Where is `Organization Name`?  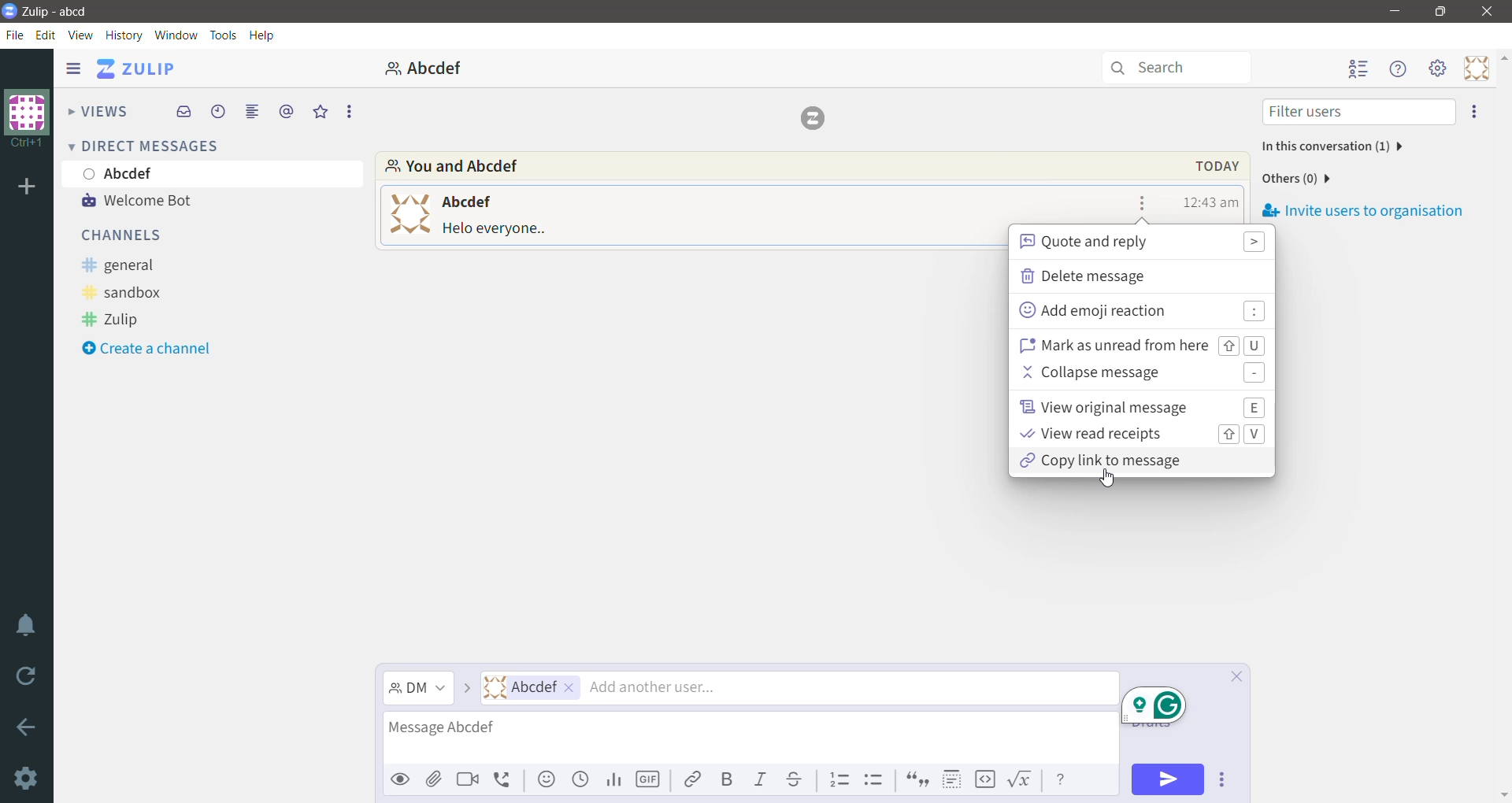
Organization Name is located at coordinates (27, 189).